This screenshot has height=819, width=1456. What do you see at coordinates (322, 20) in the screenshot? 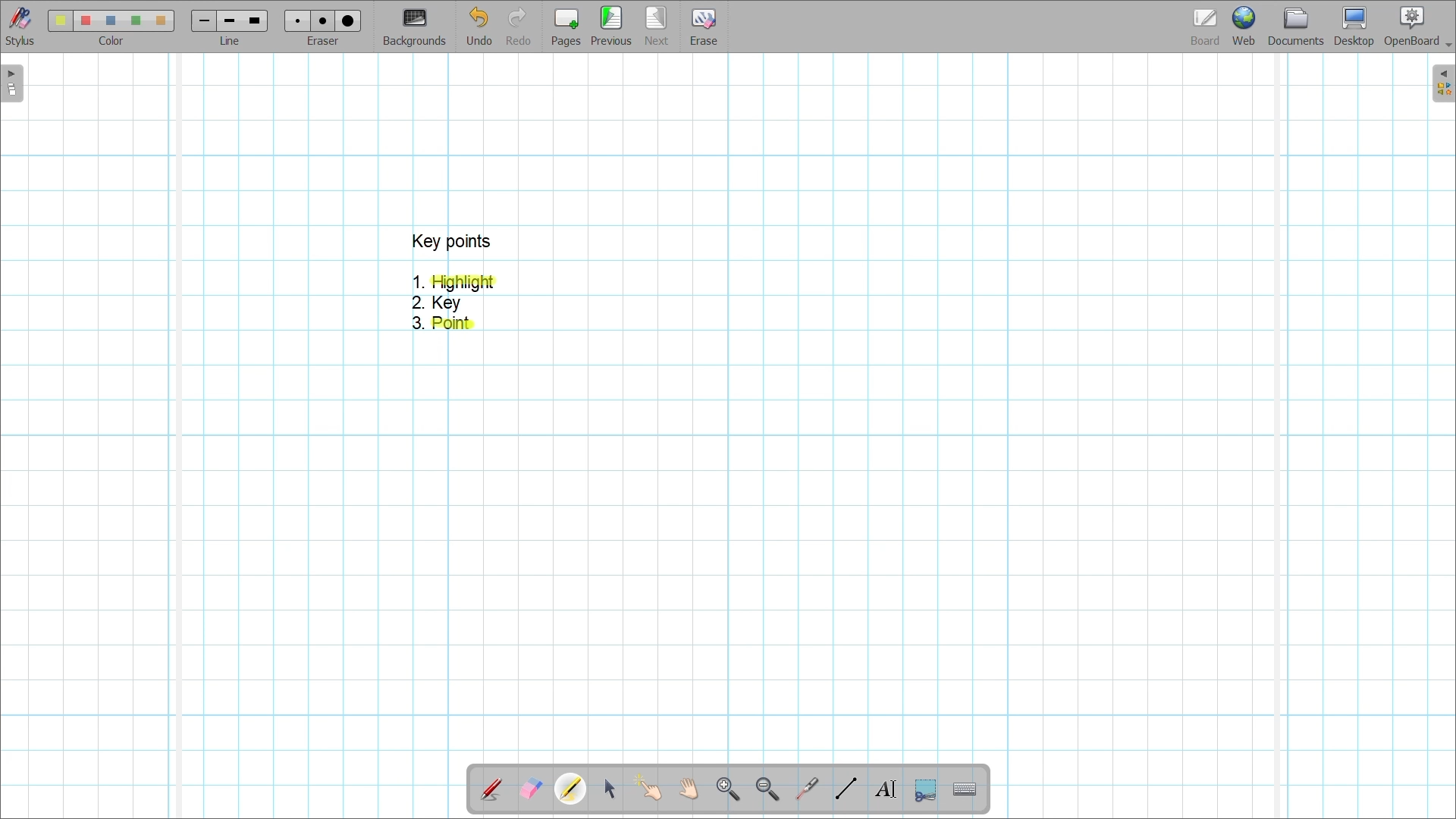
I see `eraser 2` at bounding box center [322, 20].